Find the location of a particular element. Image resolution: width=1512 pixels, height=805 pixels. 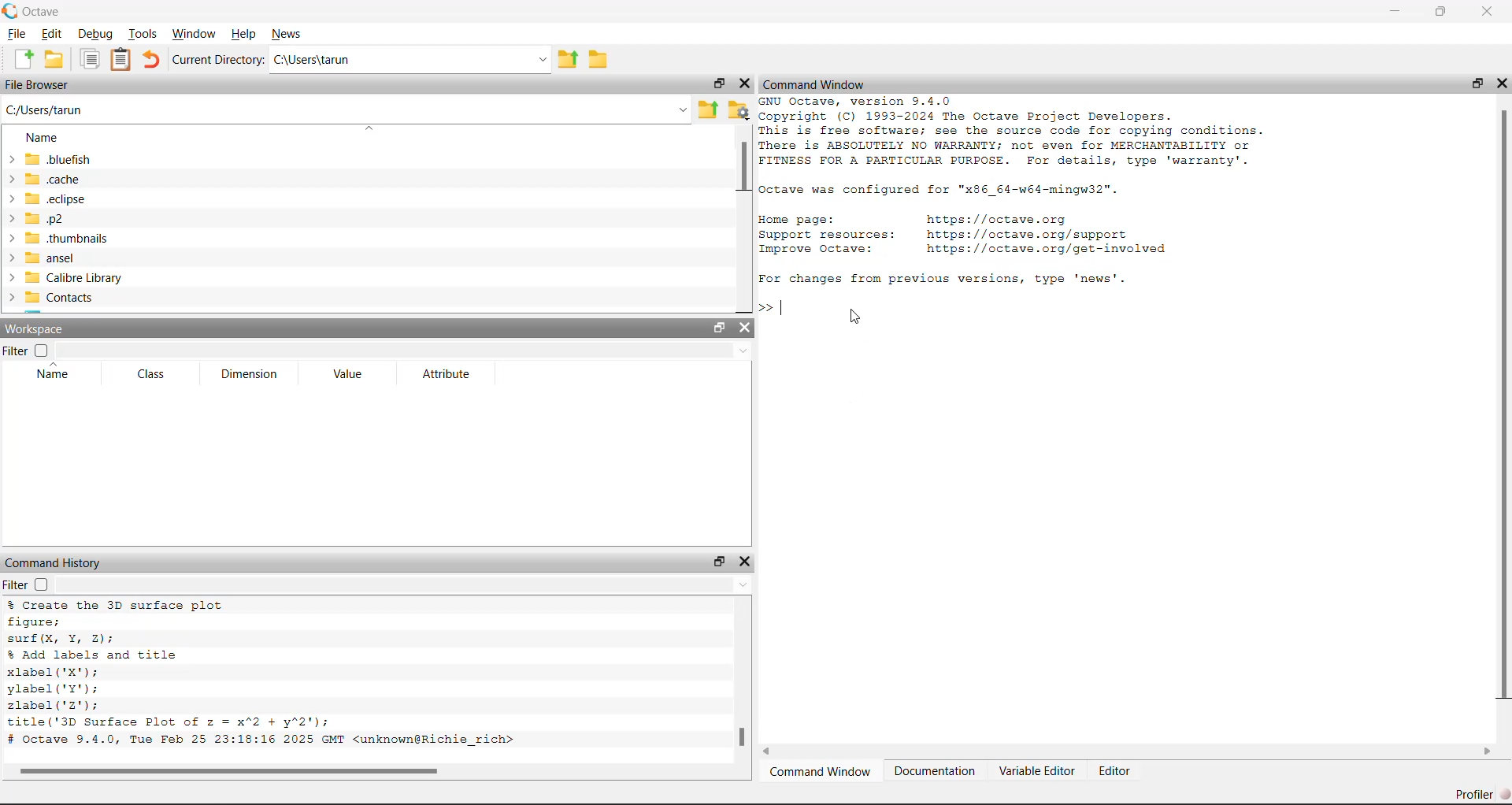

Current Directory: is located at coordinates (219, 59).